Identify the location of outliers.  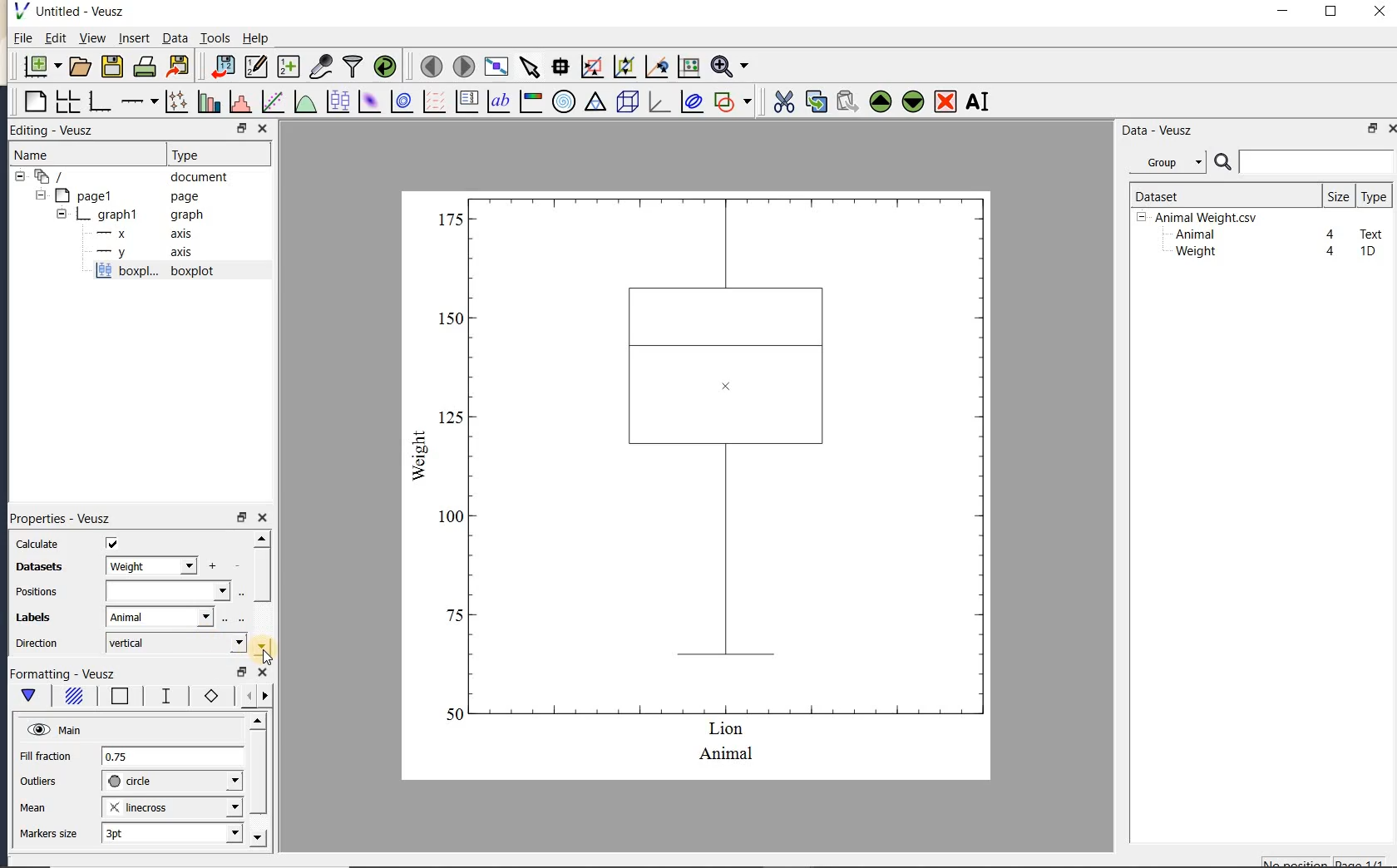
(39, 782).